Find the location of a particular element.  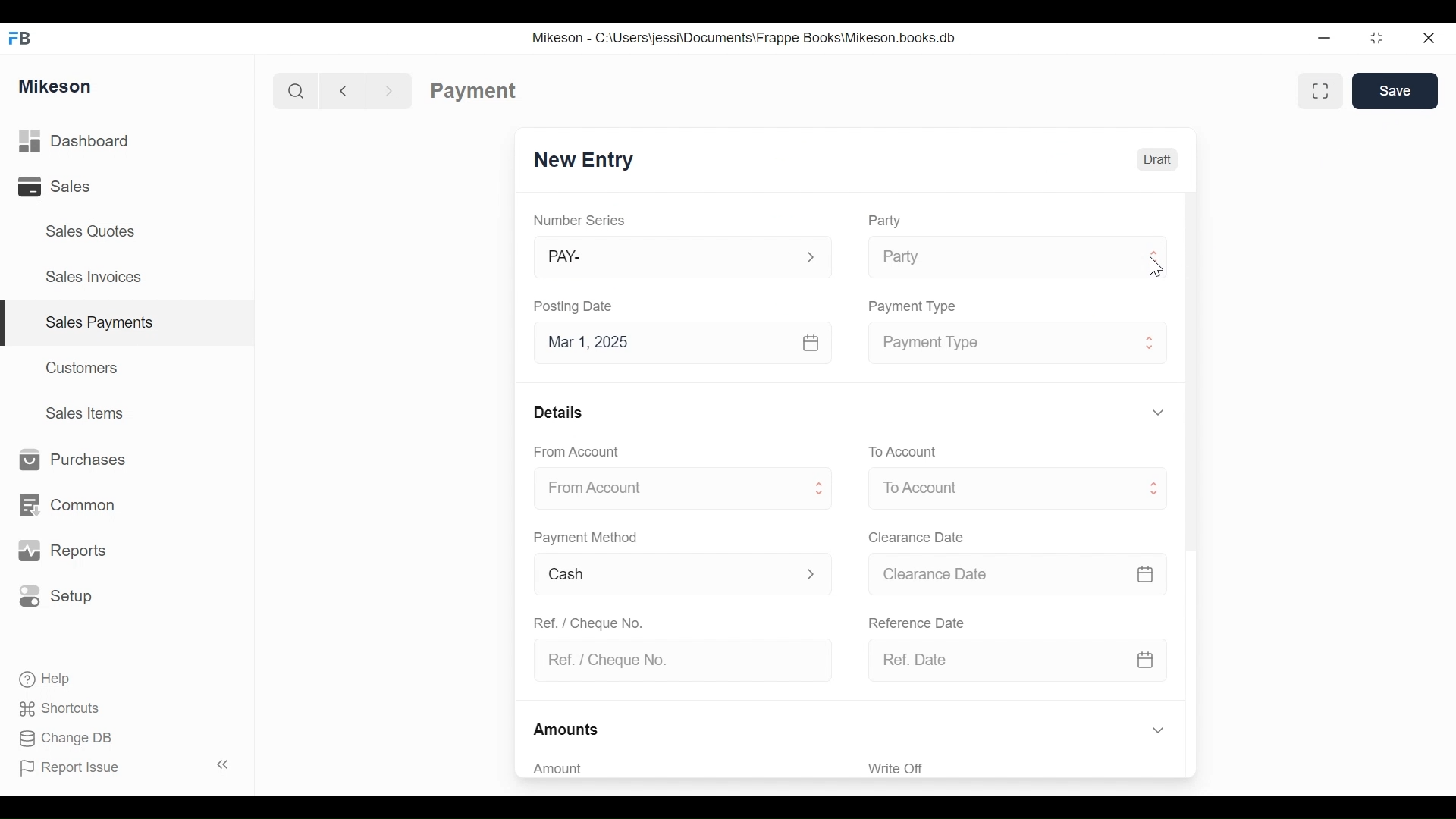

Collapse is located at coordinates (226, 766).